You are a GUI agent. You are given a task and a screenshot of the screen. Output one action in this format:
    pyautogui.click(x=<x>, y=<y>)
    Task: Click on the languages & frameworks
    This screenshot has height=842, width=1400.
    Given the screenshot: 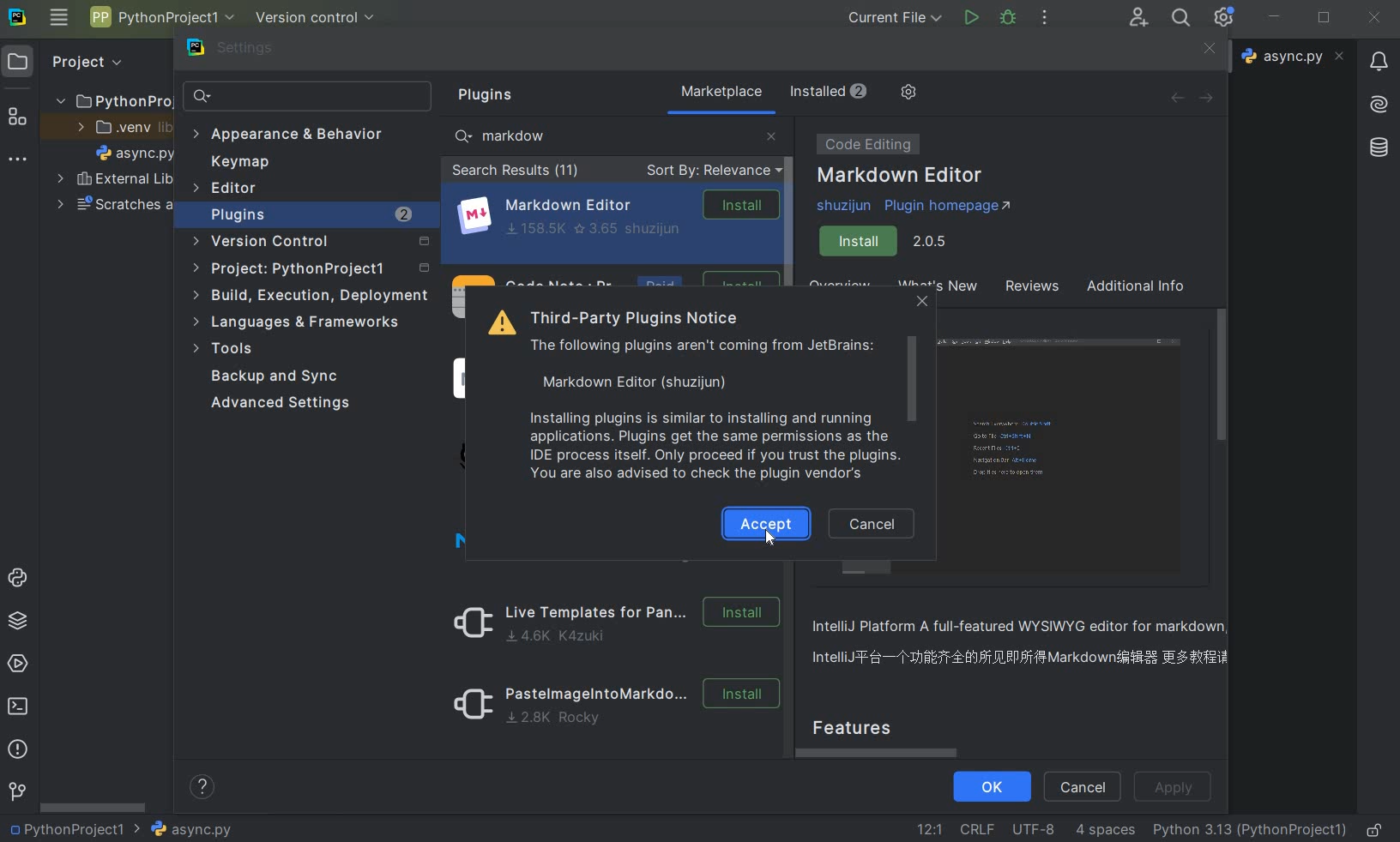 What is the action you would take?
    pyautogui.click(x=305, y=322)
    